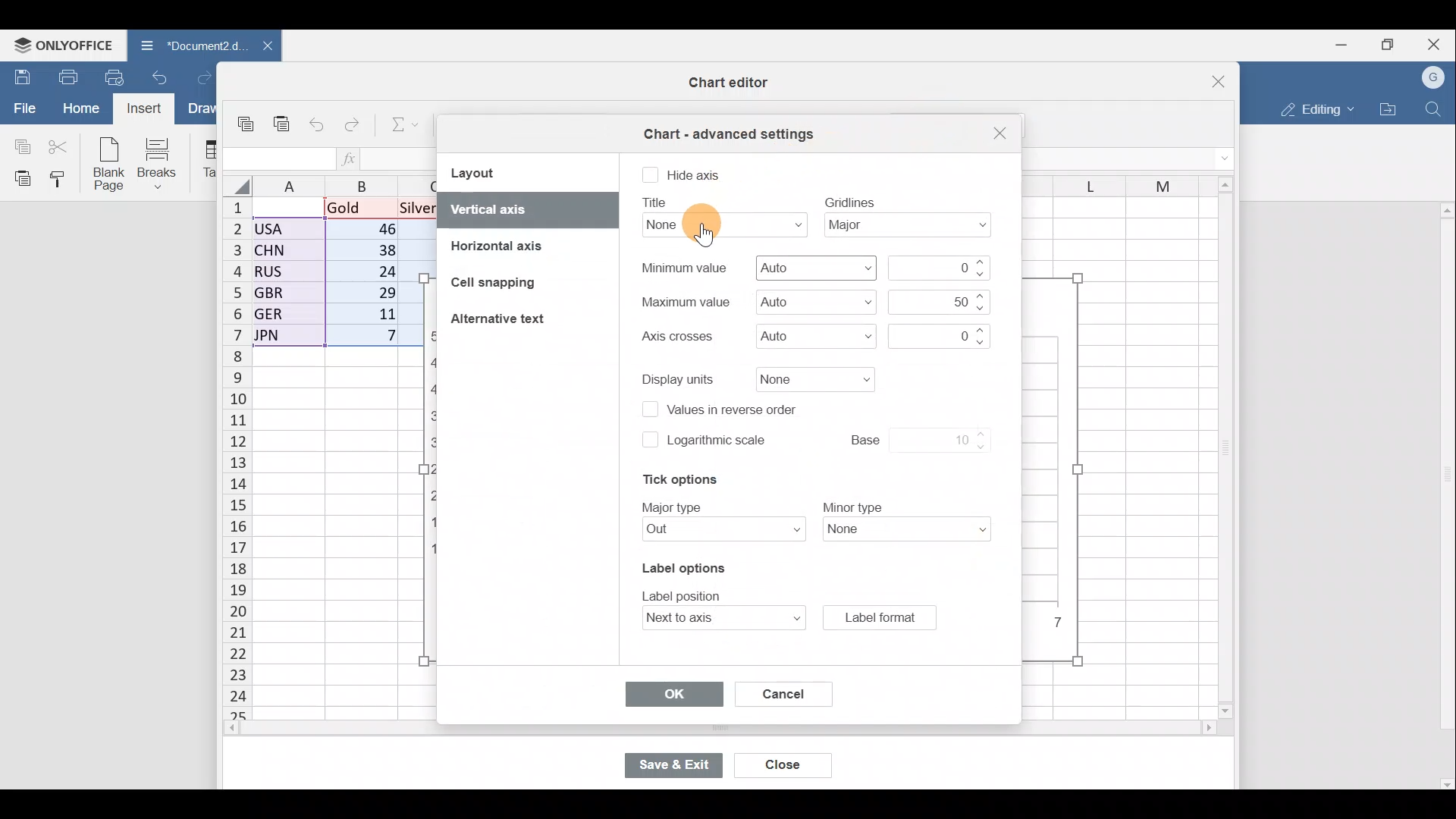 This screenshot has width=1456, height=819. What do you see at coordinates (818, 266) in the screenshot?
I see `Minimum value` at bounding box center [818, 266].